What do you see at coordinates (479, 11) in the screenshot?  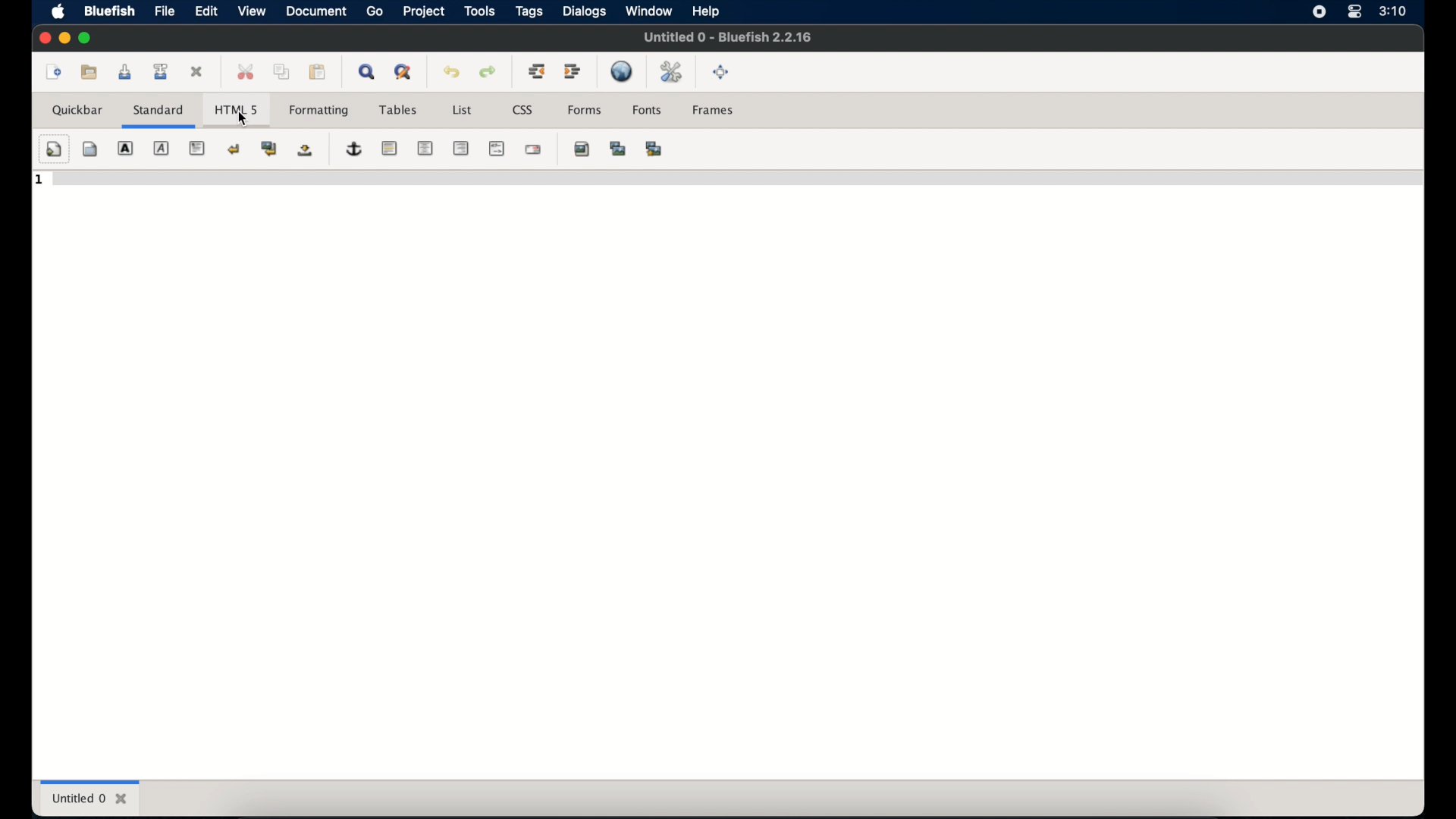 I see `tools` at bounding box center [479, 11].